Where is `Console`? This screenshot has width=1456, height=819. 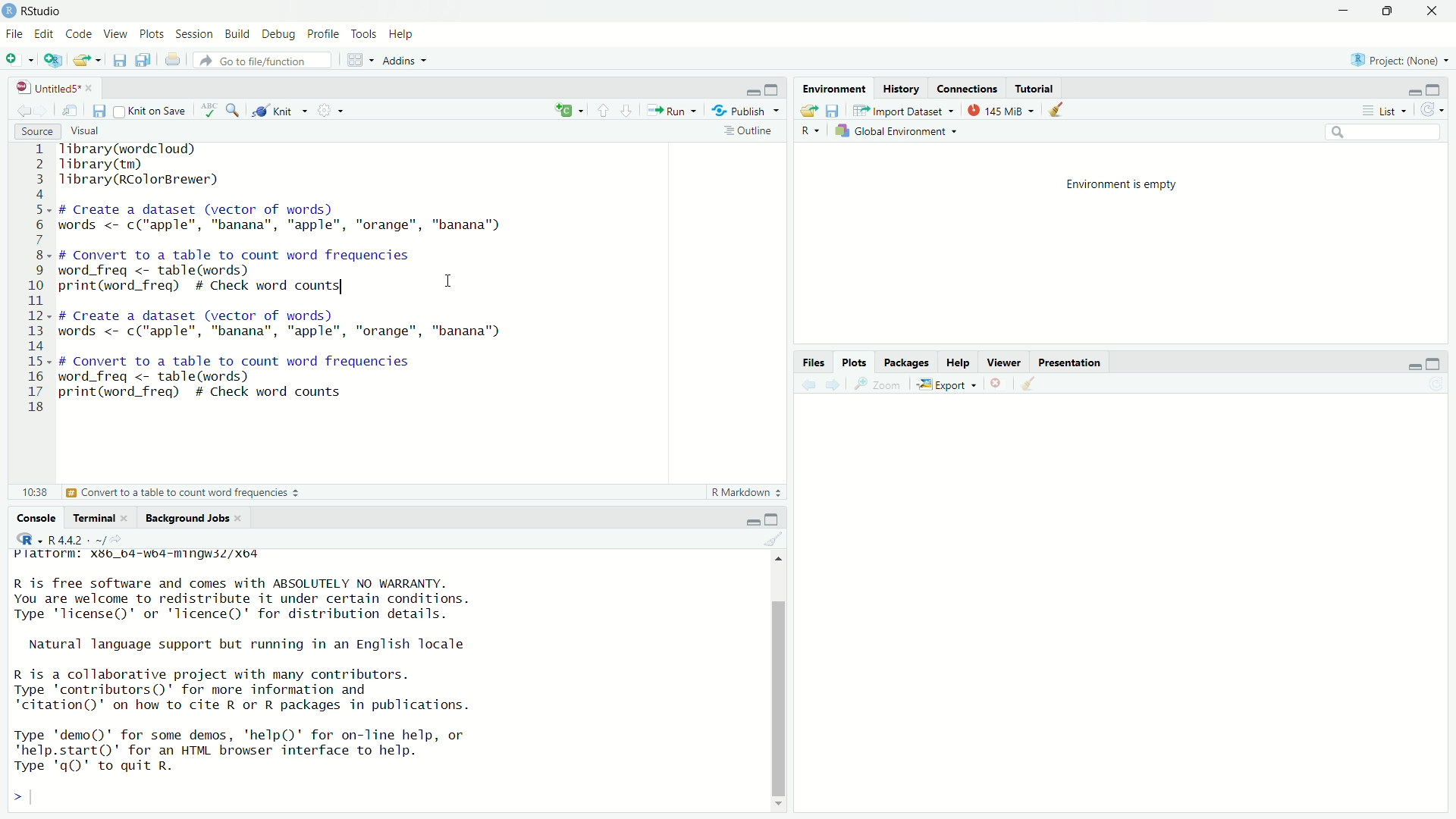
Console is located at coordinates (32, 517).